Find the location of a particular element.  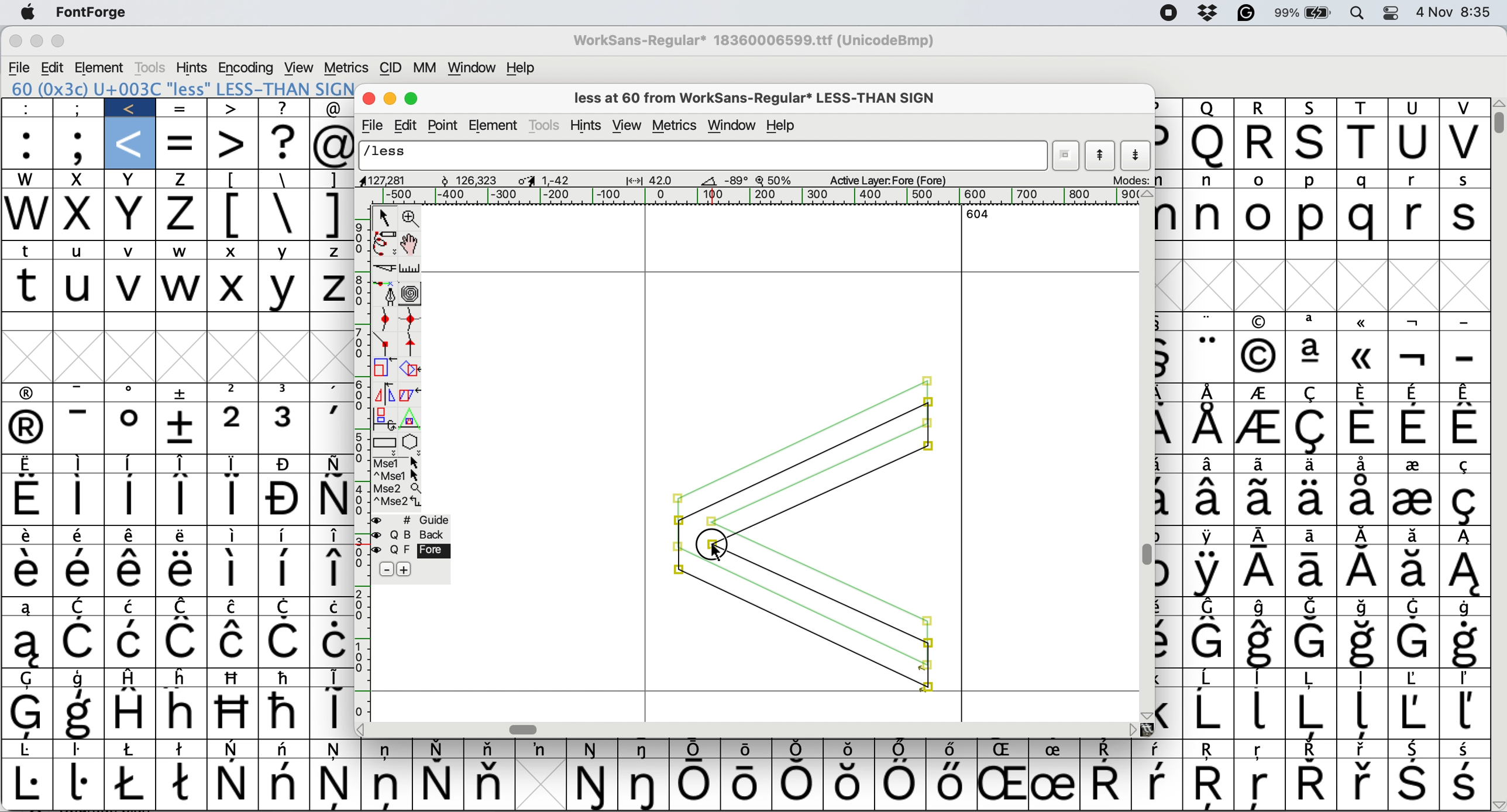

Symbol is located at coordinates (1169, 429).